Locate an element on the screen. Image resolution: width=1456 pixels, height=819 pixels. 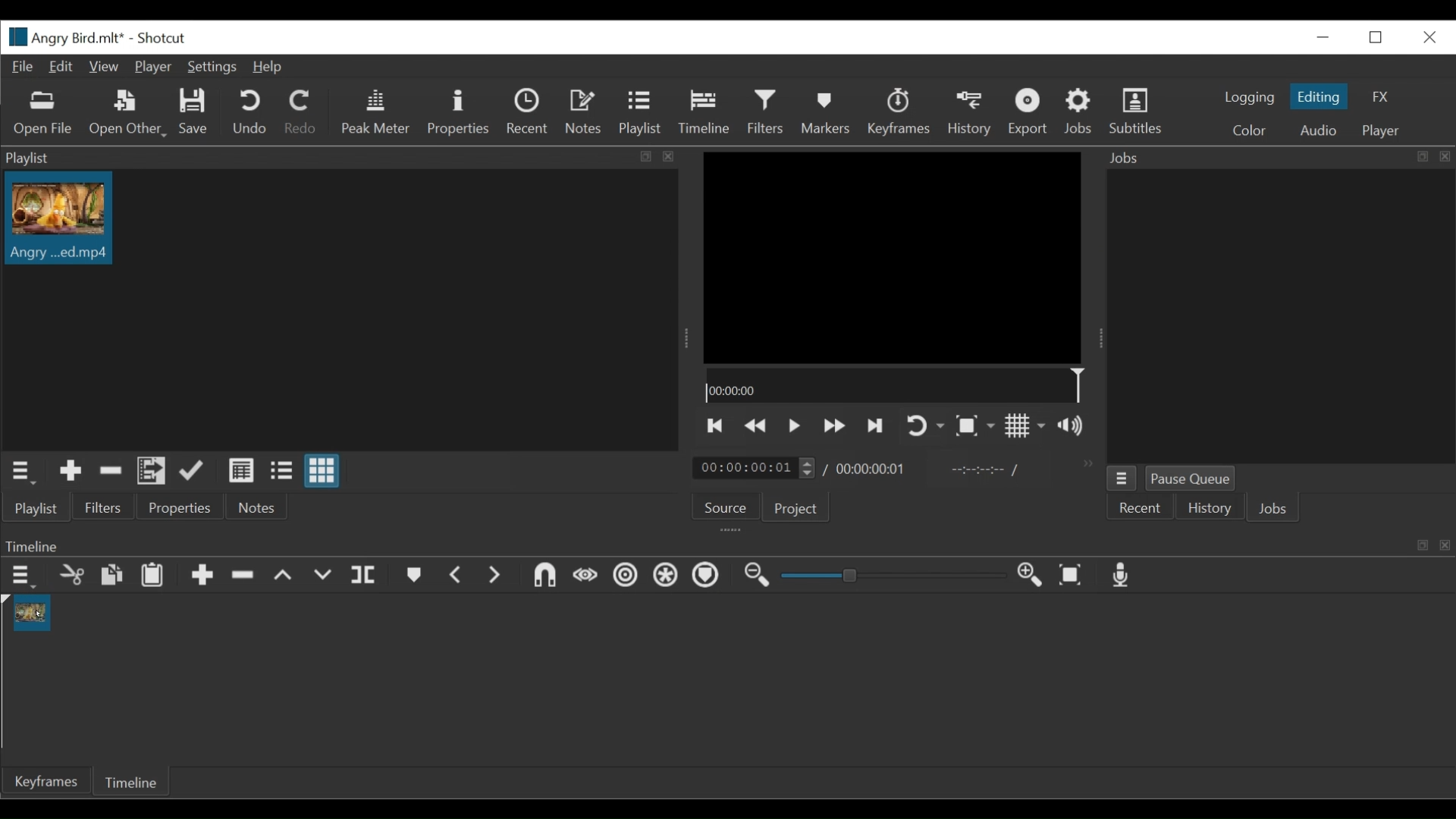
Playlist Panel is located at coordinates (340, 158).